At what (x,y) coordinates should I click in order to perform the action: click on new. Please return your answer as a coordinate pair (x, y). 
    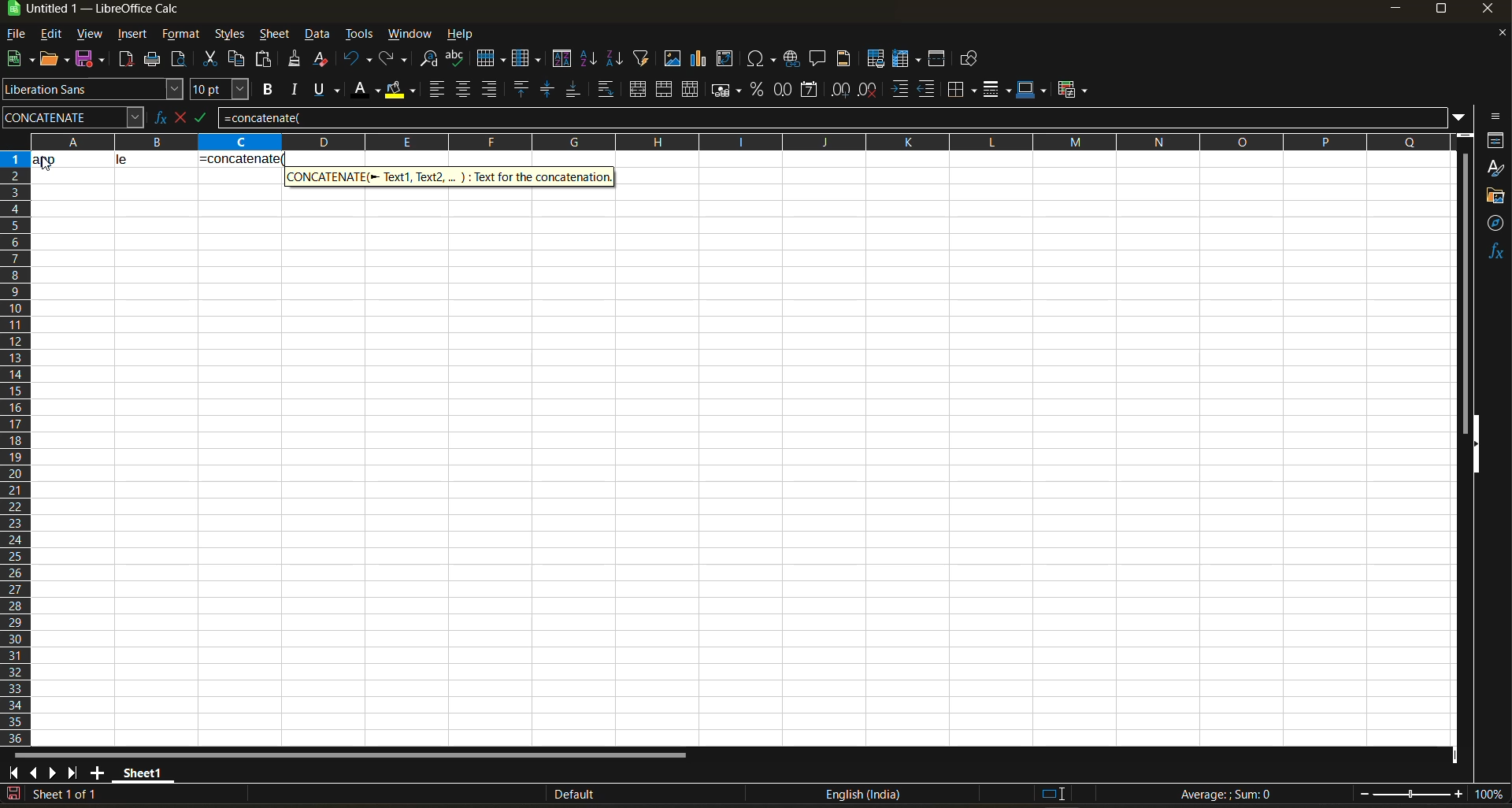
    Looking at the image, I should click on (18, 60).